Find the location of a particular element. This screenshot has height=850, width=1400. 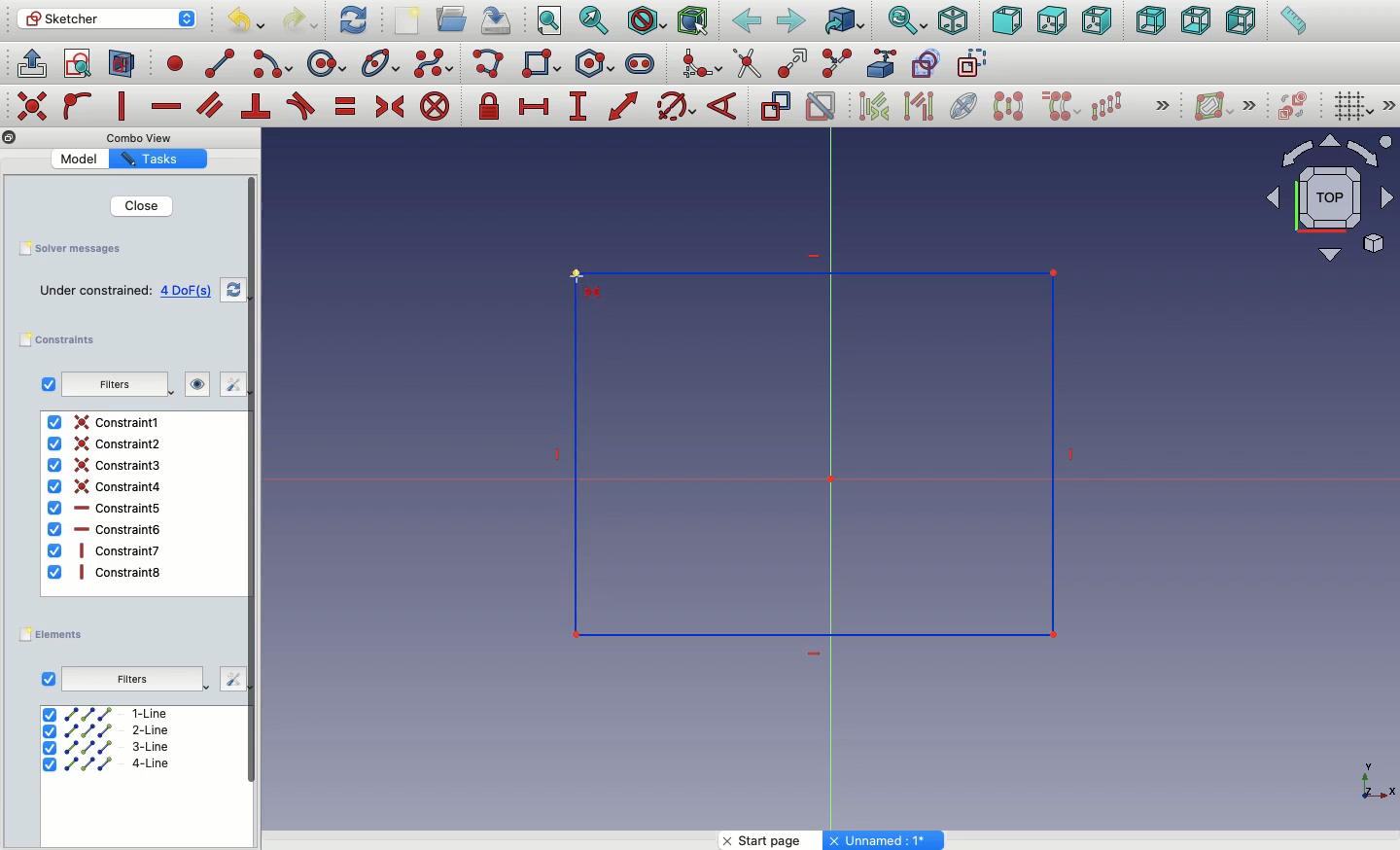

Extend edge  is located at coordinates (795, 64).